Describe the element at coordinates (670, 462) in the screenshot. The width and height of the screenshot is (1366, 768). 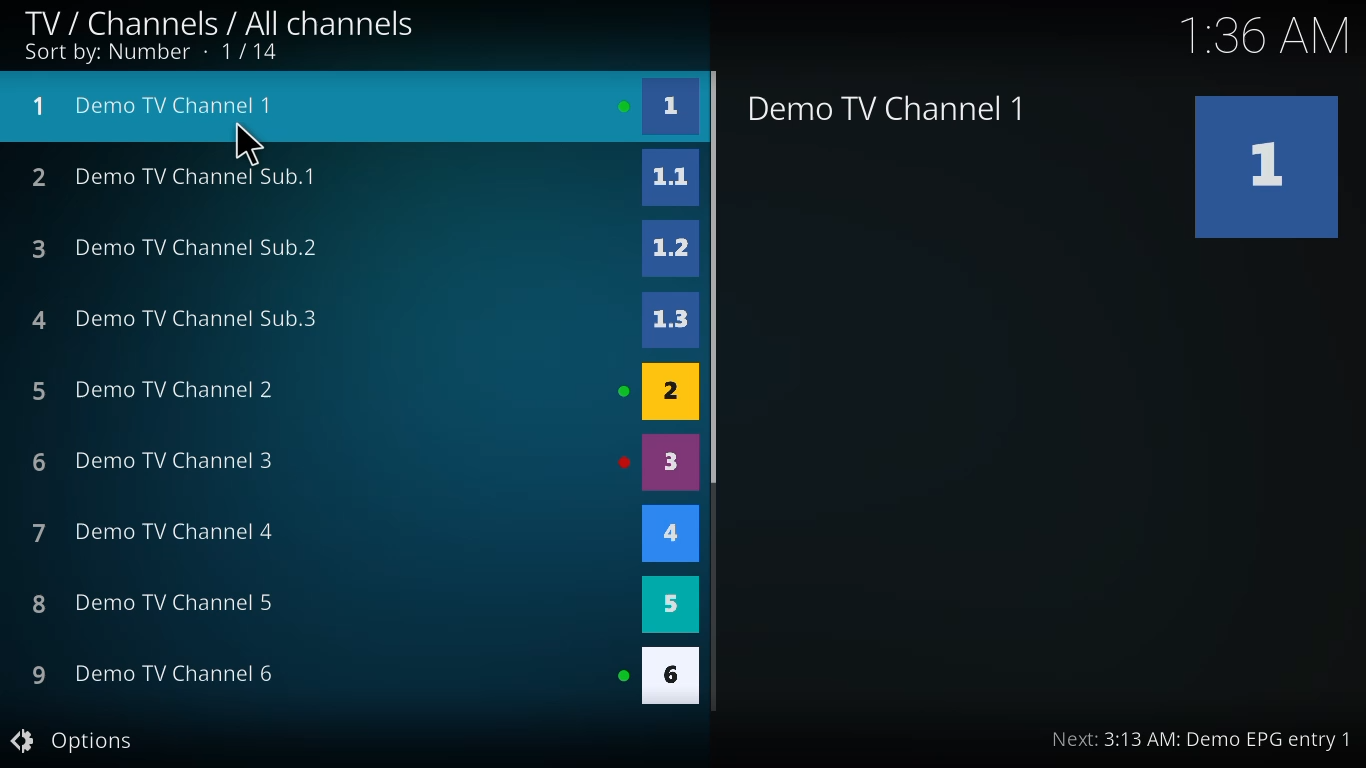
I see `3` at that location.